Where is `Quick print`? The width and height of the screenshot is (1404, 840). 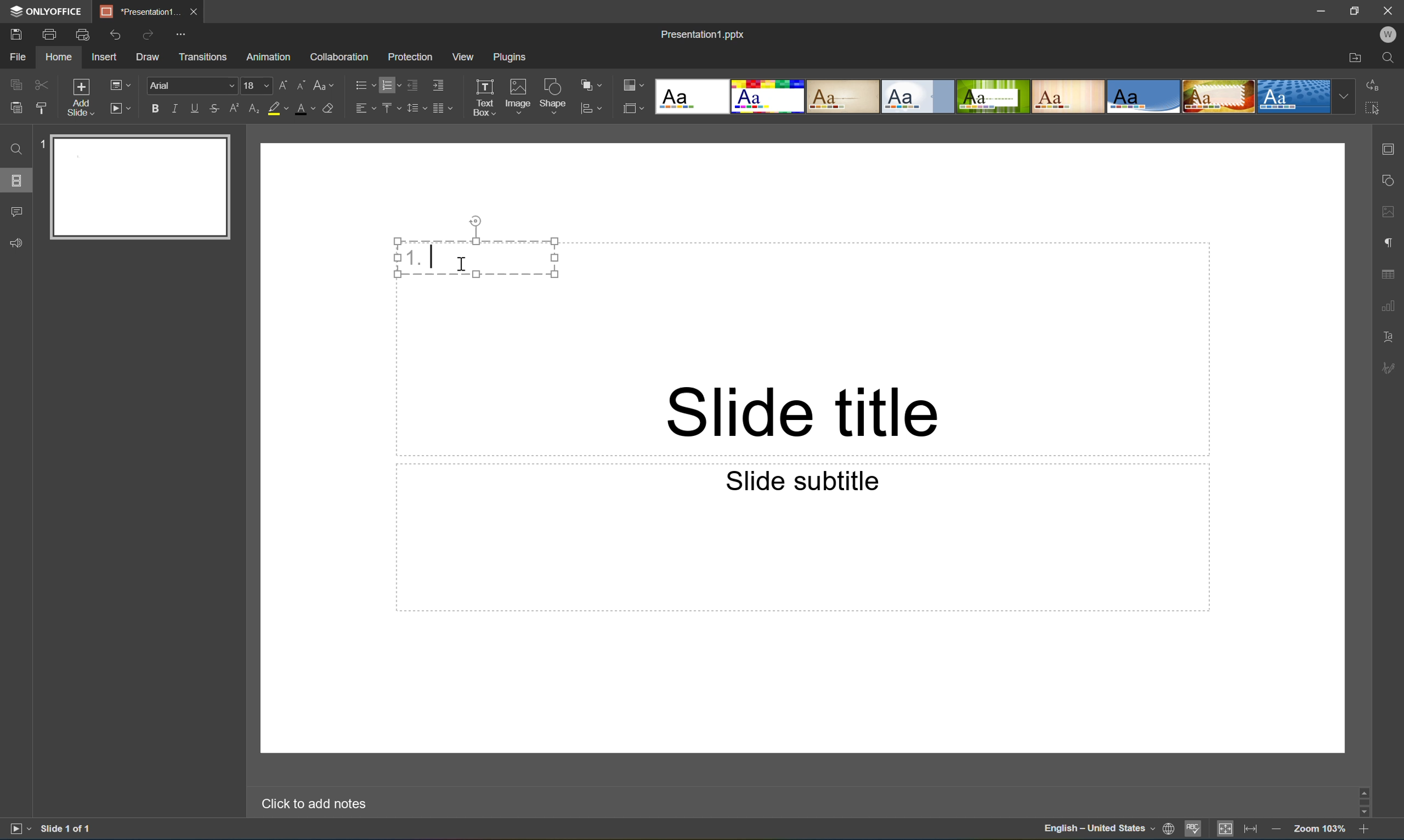 Quick print is located at coordinates (84, 35).